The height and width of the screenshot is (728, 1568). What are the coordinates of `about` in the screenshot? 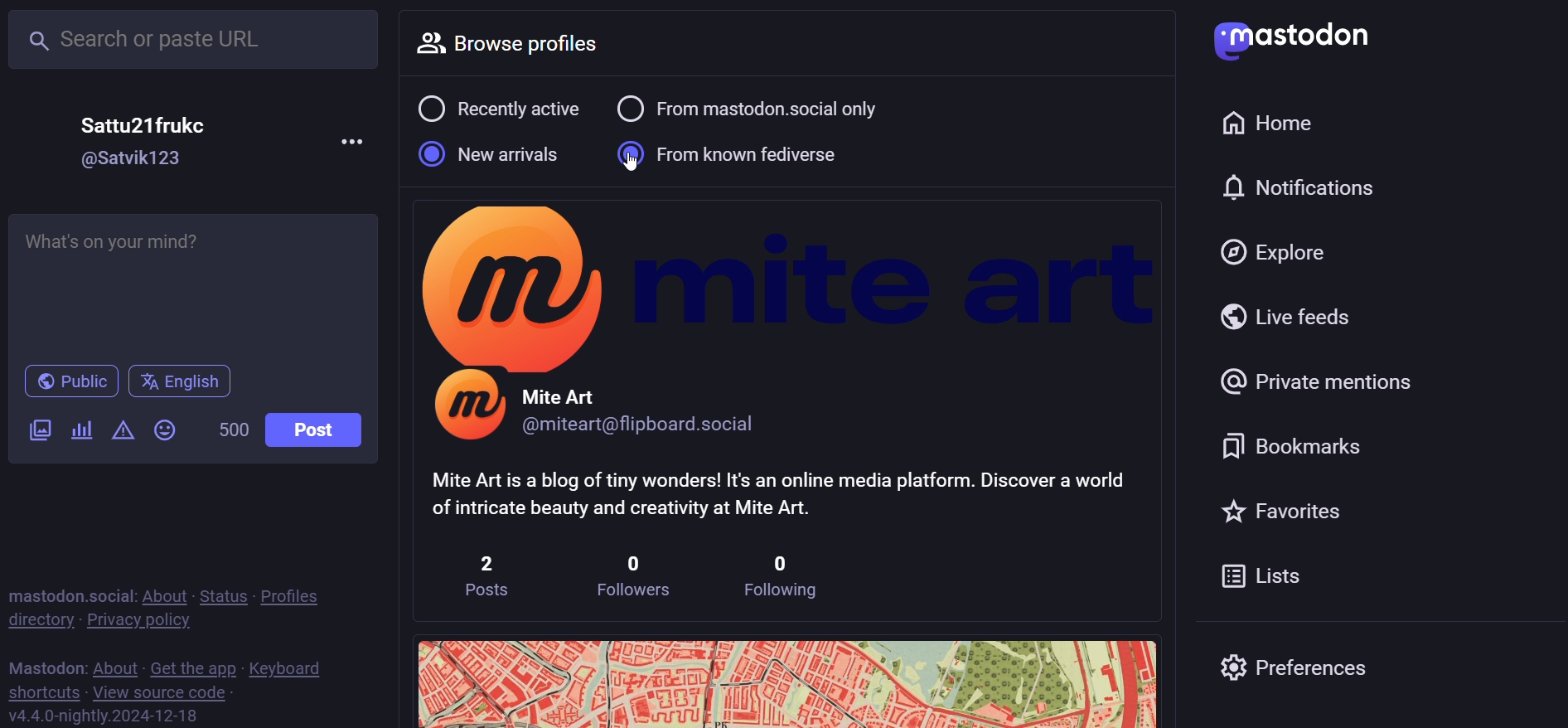 It's located at (165, 595).